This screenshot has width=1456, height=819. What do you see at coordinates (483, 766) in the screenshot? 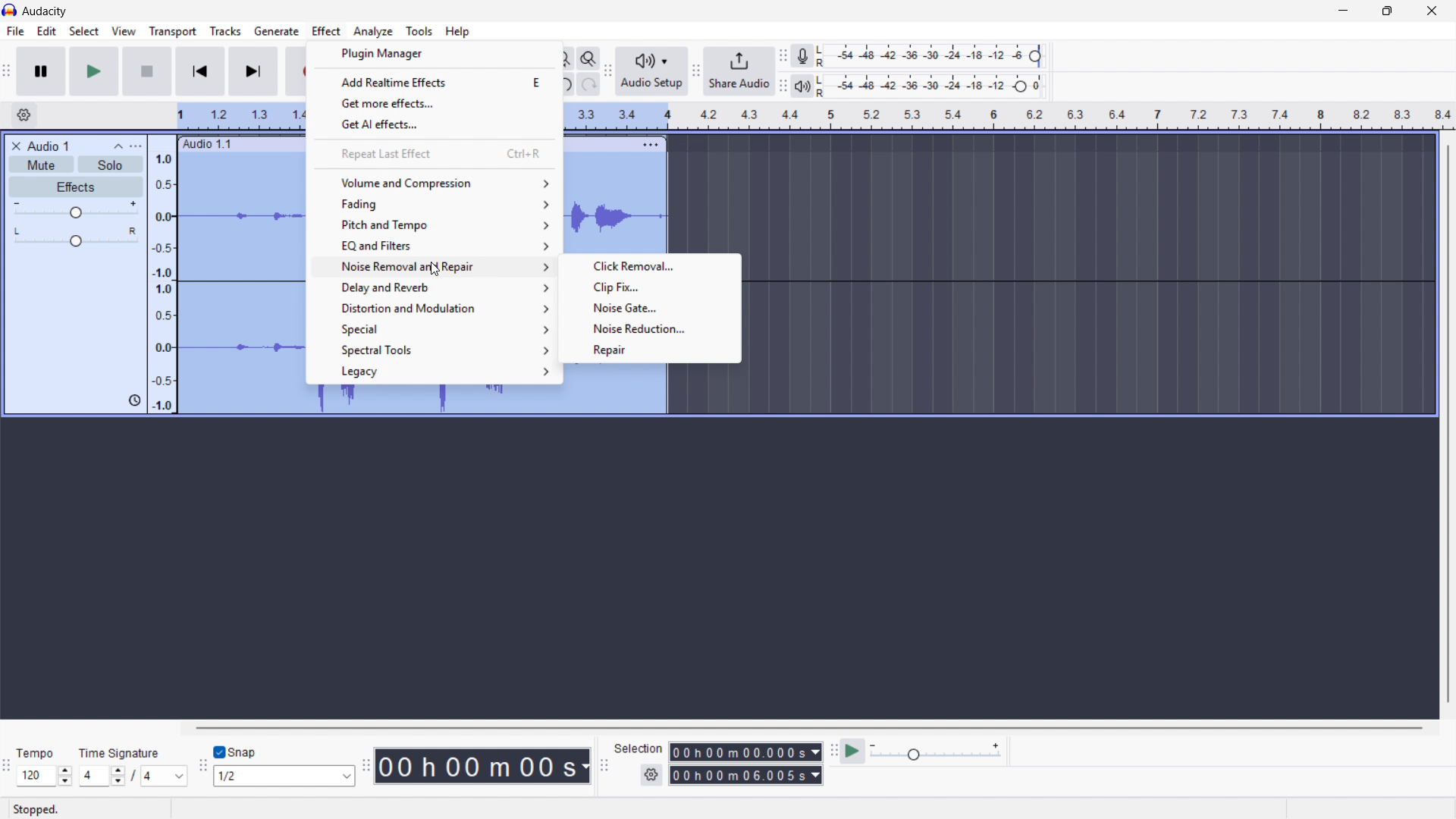
I see `Timestamp` at bounding box center [483, 766].